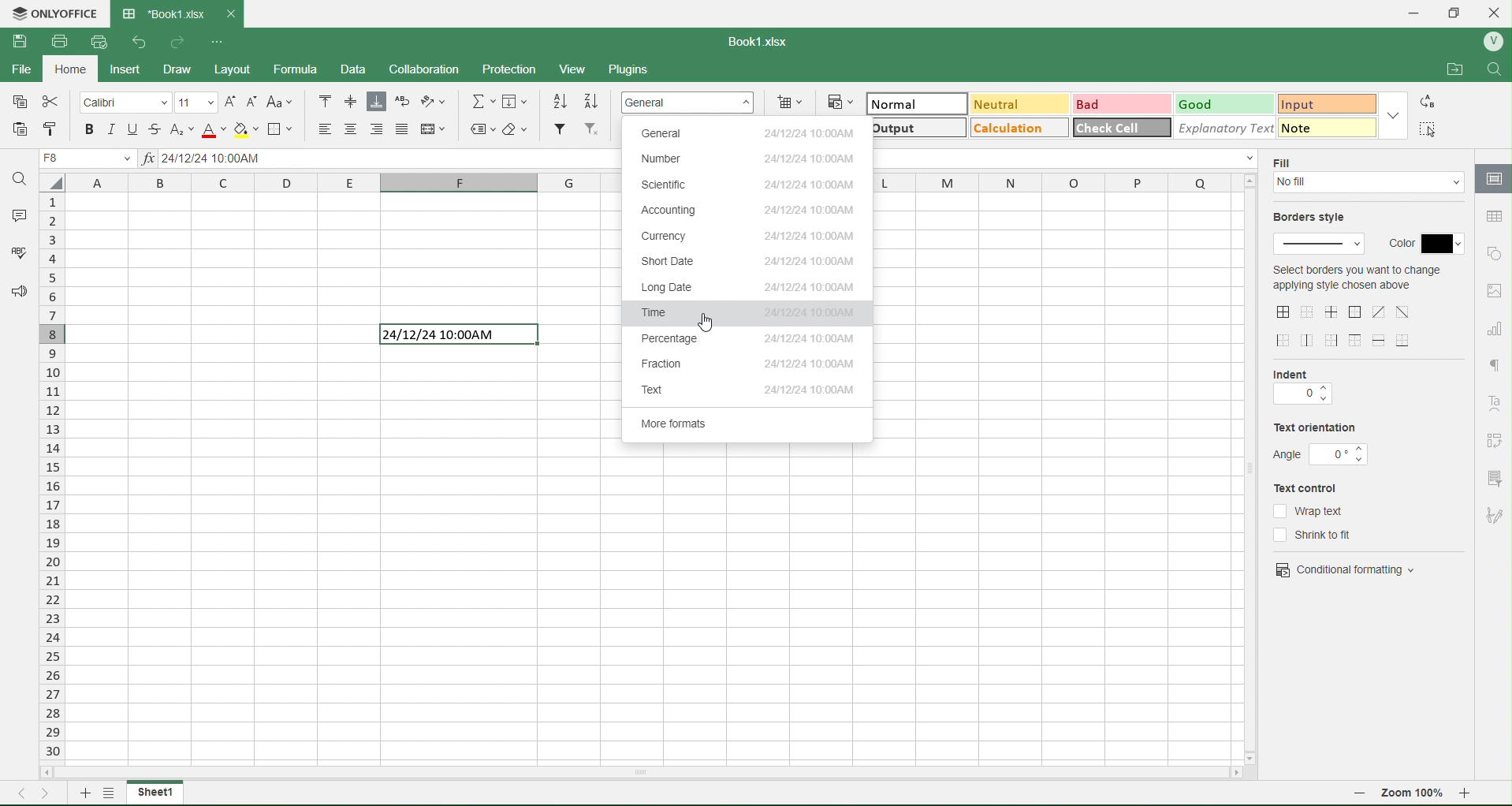 This screenshot has height=806, width=1512. I want to click on top border, so click(1355, 340).